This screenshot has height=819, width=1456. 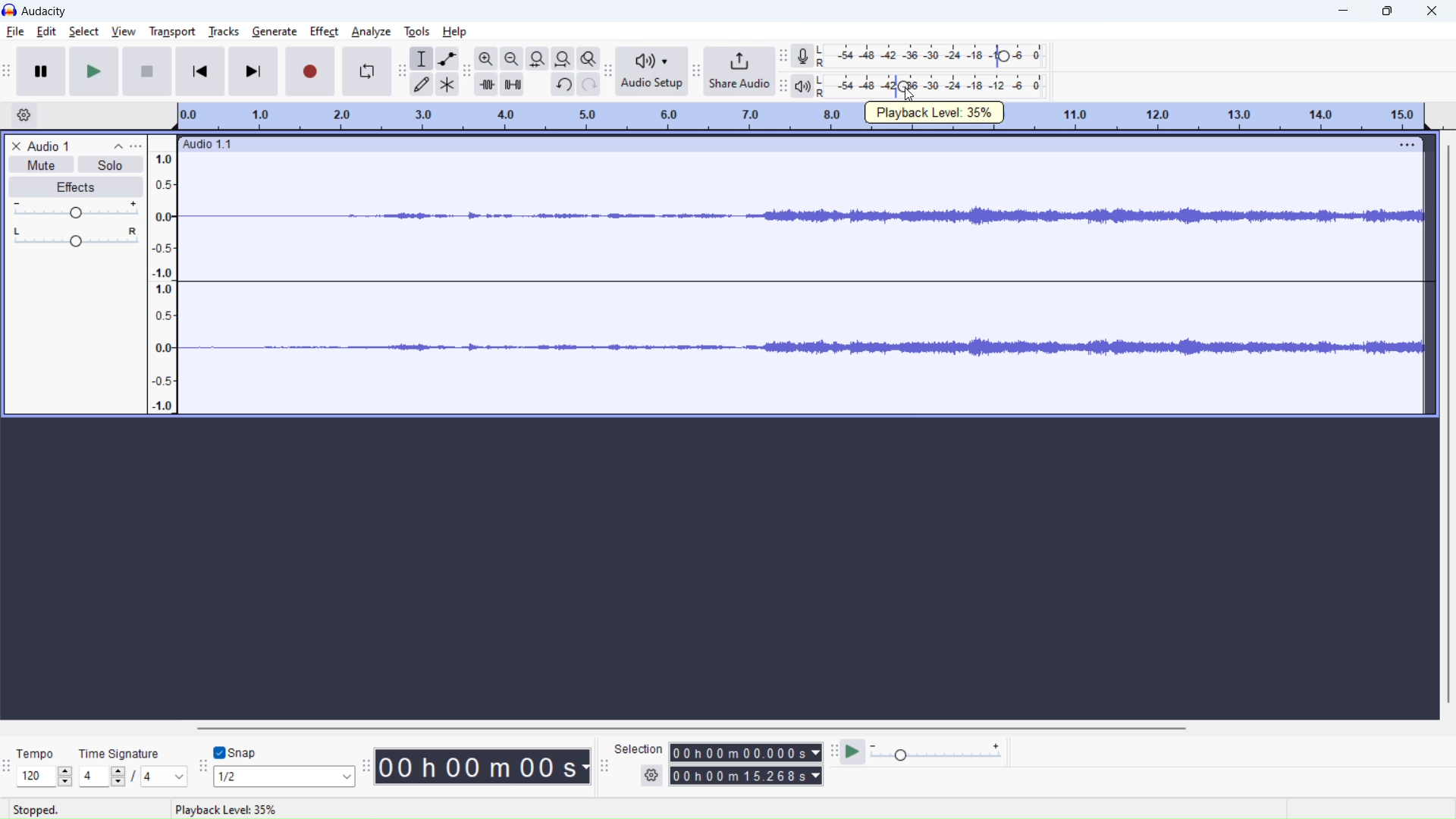 What do you see at coordinates (786, 143) in the screenshot?
I see `hold to move` at bounding box center [786, 143].